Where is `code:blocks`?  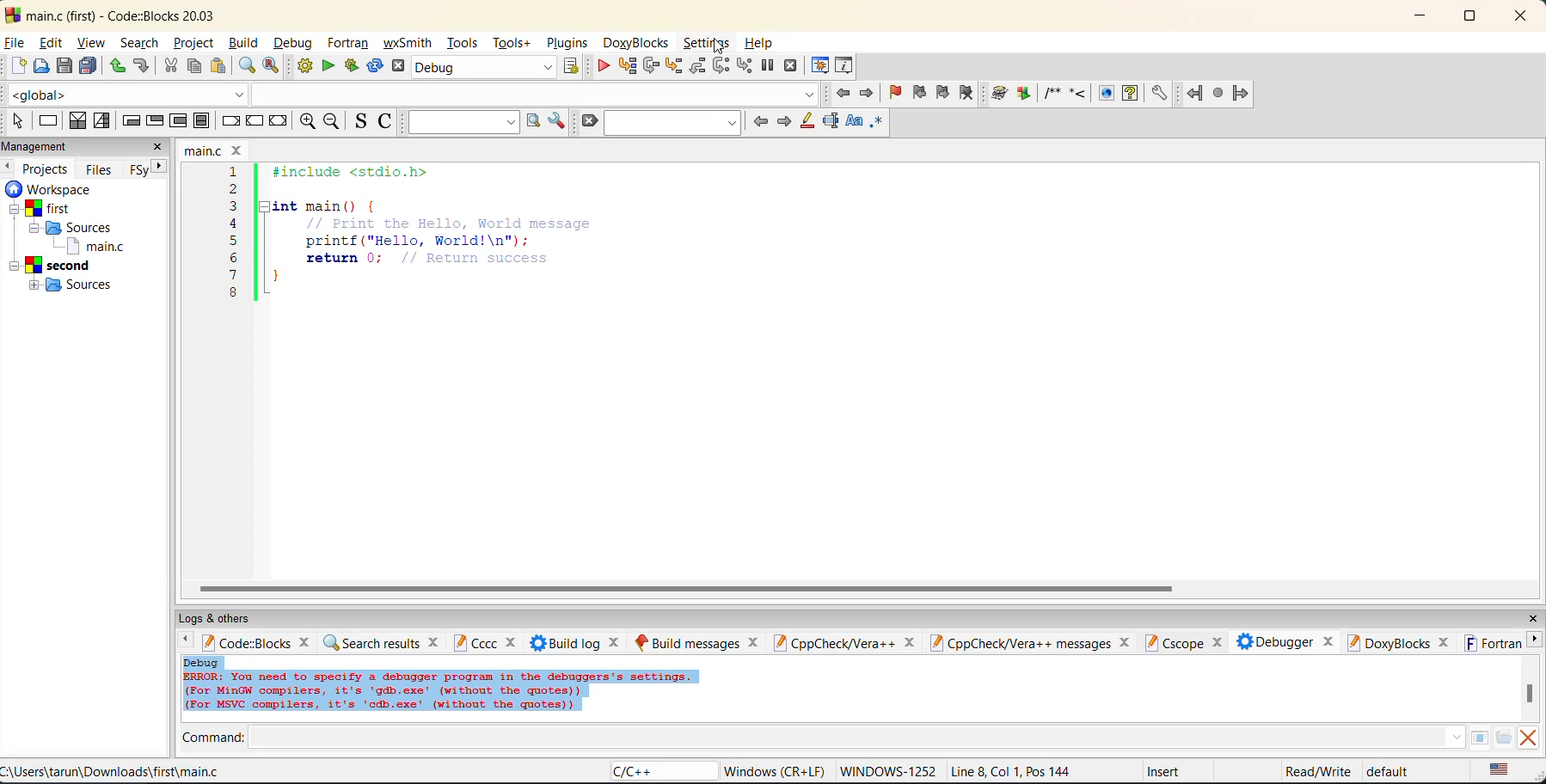 code:blocks is located at coordinates (260, 642).